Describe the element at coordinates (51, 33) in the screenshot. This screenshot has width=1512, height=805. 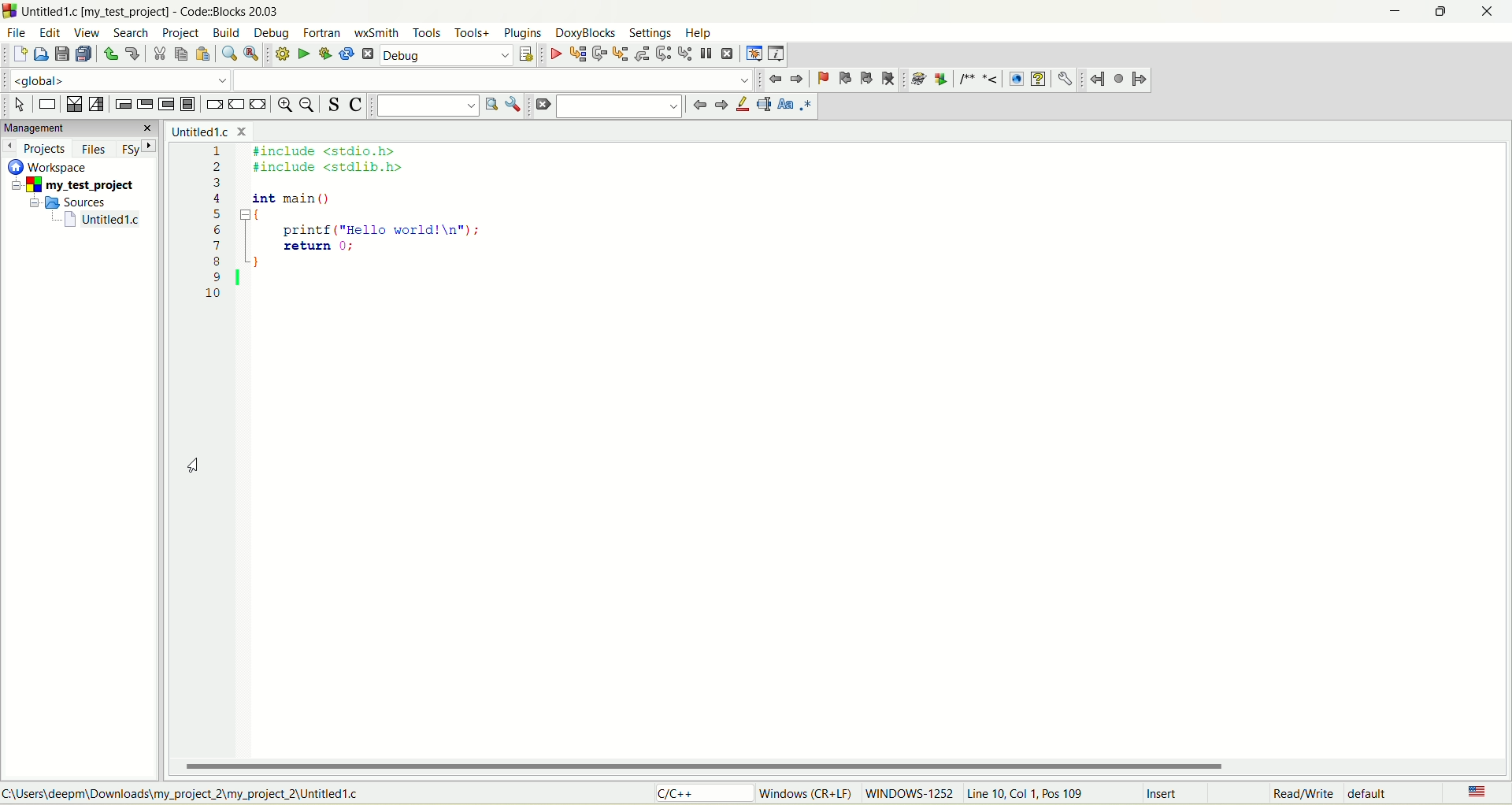
I see `edit` at that location.